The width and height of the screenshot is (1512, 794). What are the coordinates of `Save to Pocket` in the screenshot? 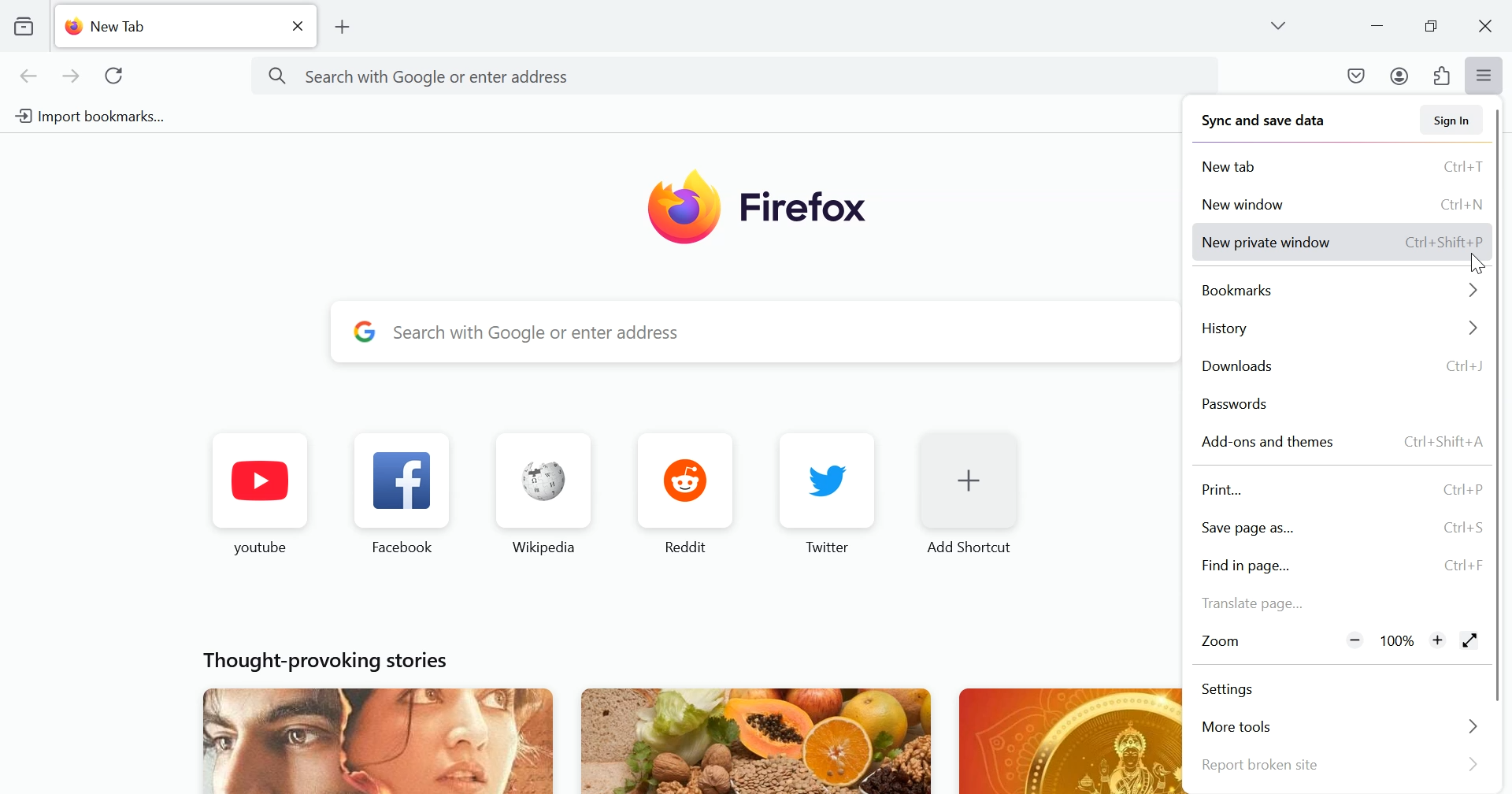 It's located at (1357, 76).